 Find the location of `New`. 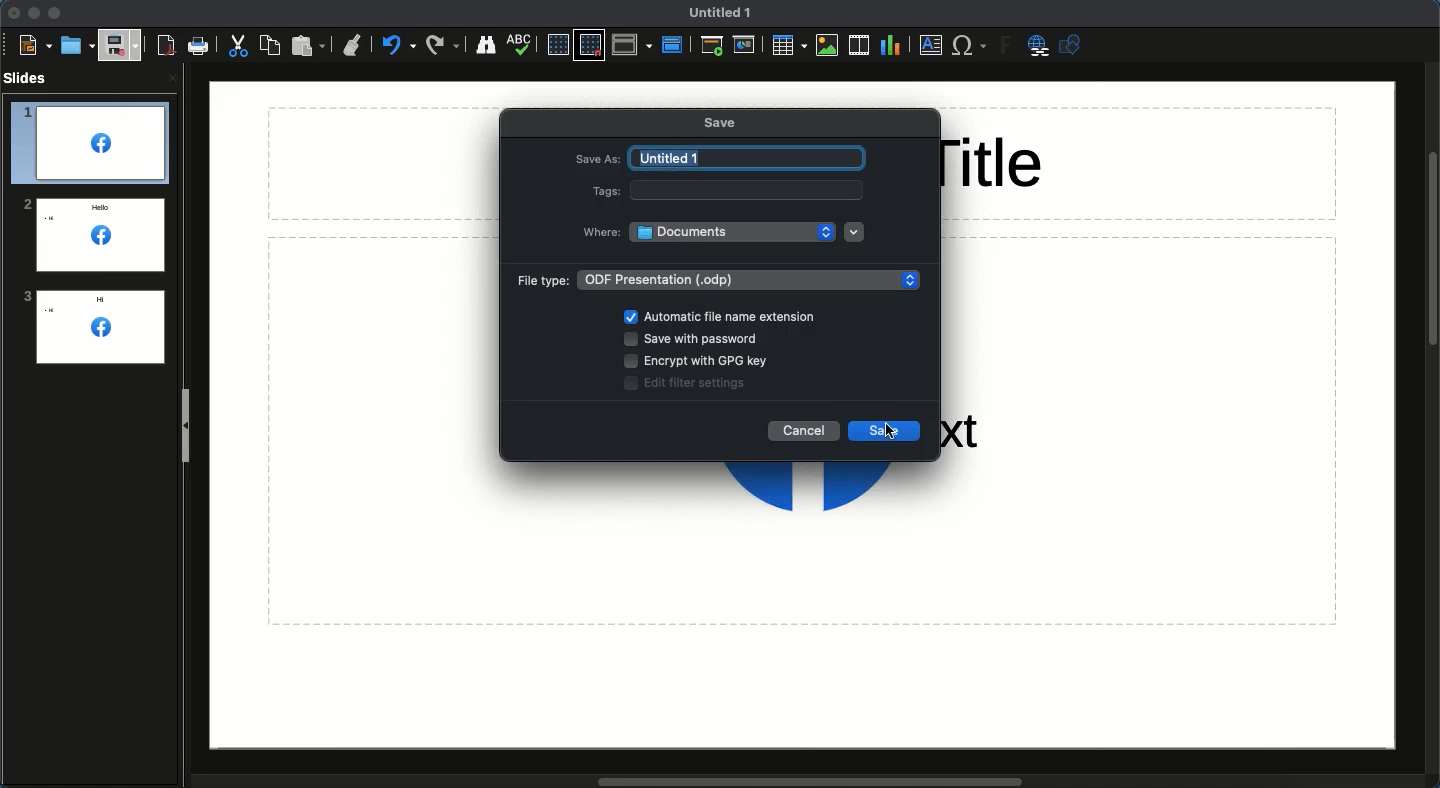

New is located at coordinates (32, 45).